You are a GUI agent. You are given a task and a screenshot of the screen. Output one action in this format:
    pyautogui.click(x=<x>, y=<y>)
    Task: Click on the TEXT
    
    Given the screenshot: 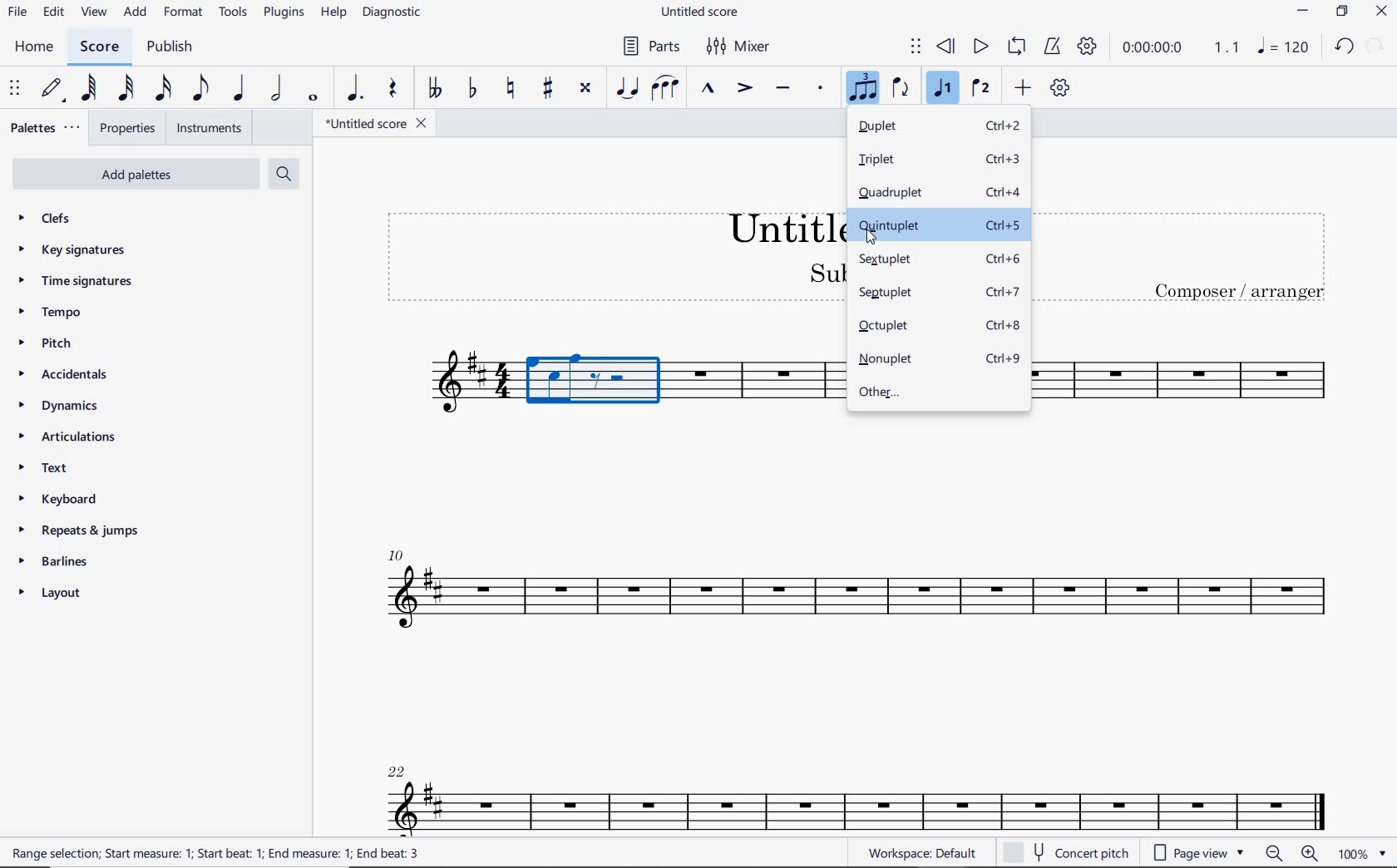 What is the action you would take?
    pyautogui.click(x=72, y=470)
    